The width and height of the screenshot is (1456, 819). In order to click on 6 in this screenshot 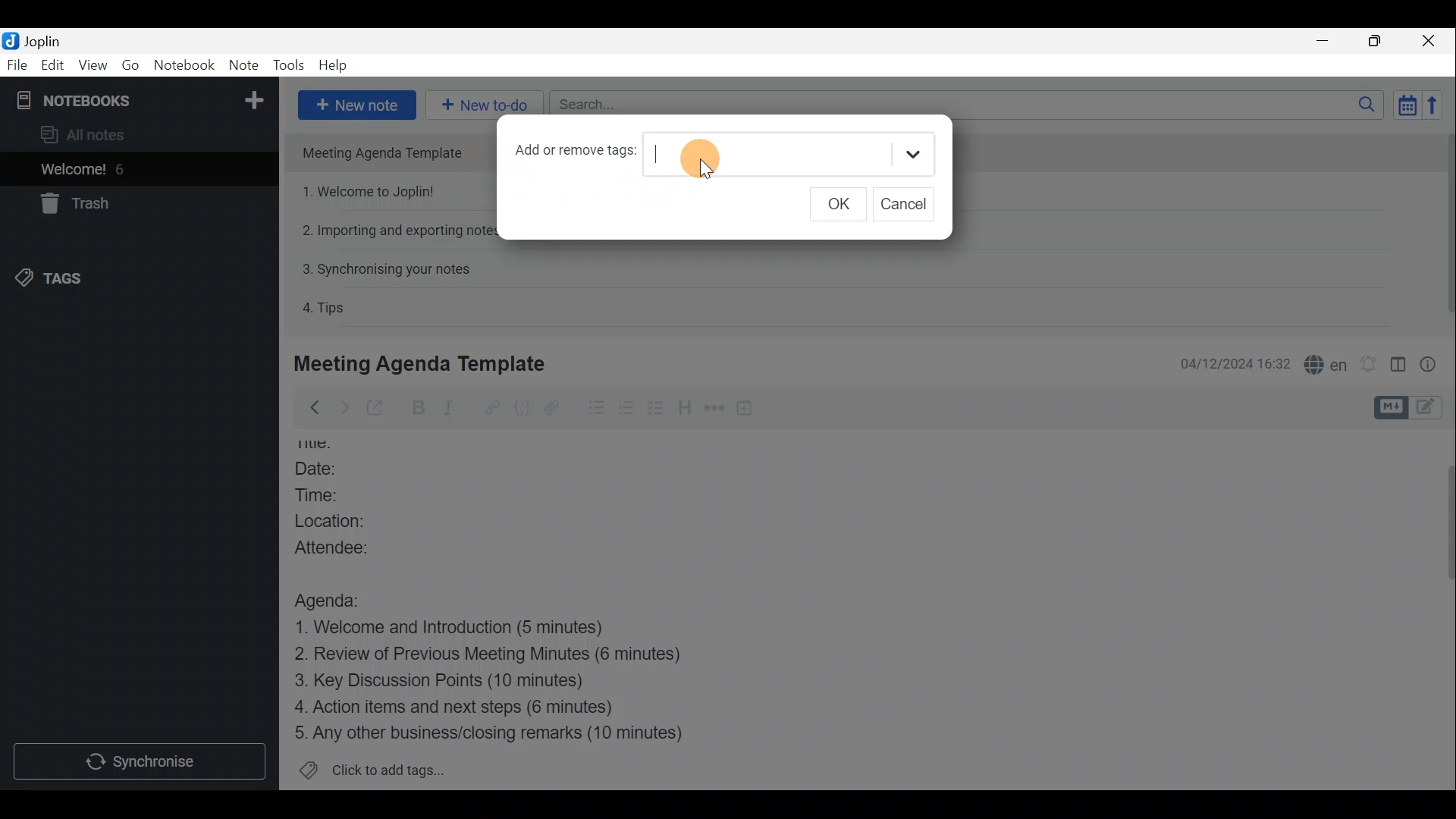, I will do `click(124, 169)`.